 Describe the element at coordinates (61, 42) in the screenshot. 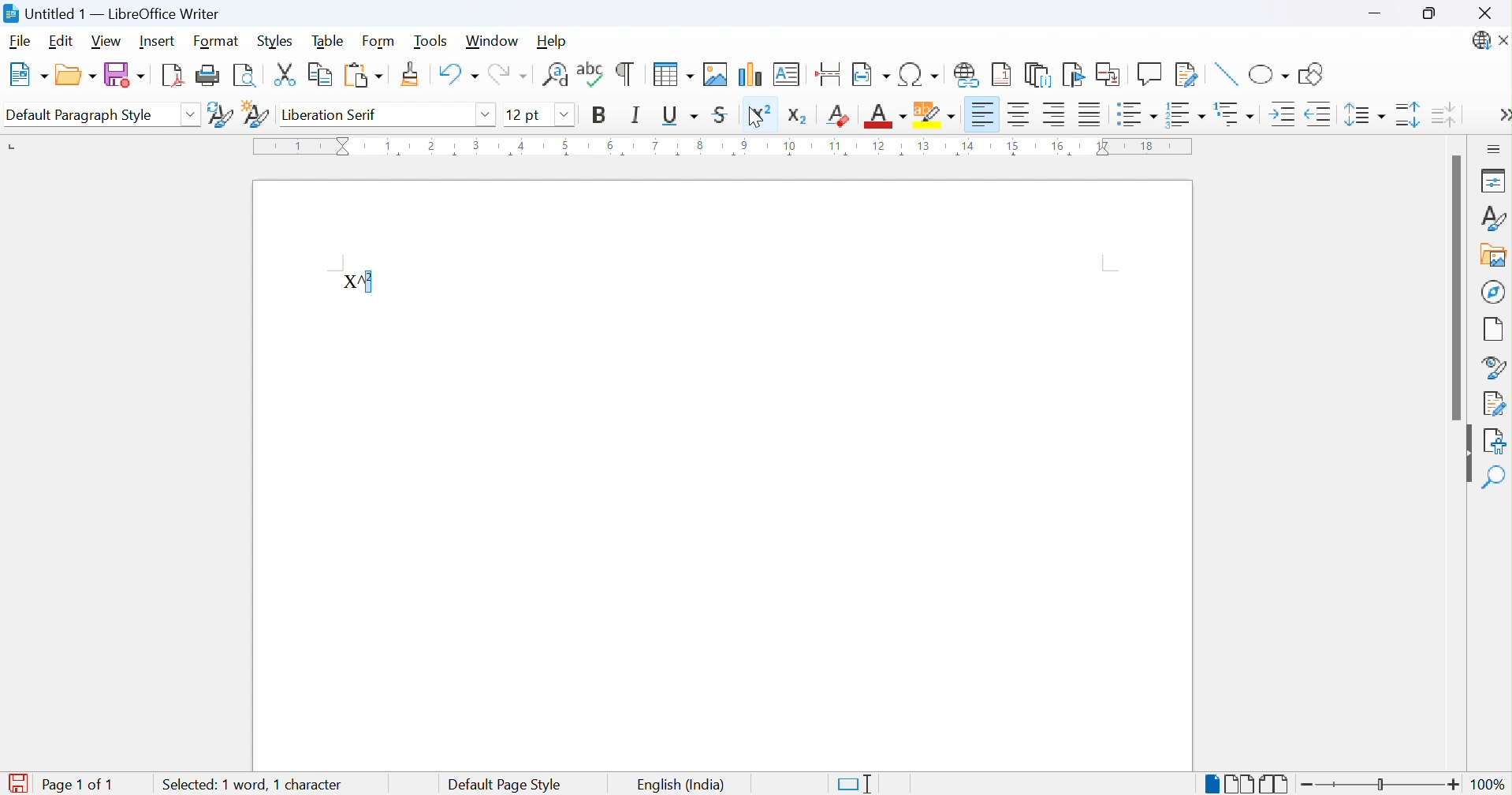

I see `Edit` at that location.